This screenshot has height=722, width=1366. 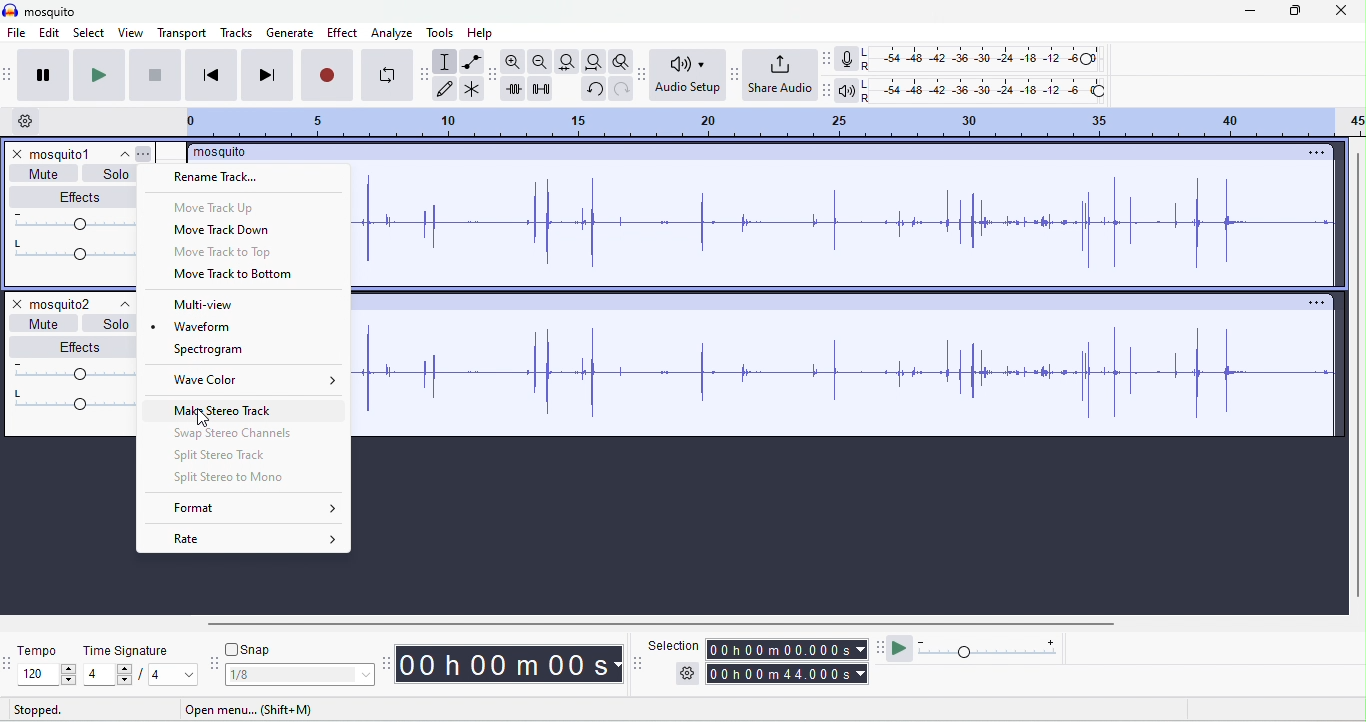 I want to click on split stereo to mono, so click(x=234, y=478).